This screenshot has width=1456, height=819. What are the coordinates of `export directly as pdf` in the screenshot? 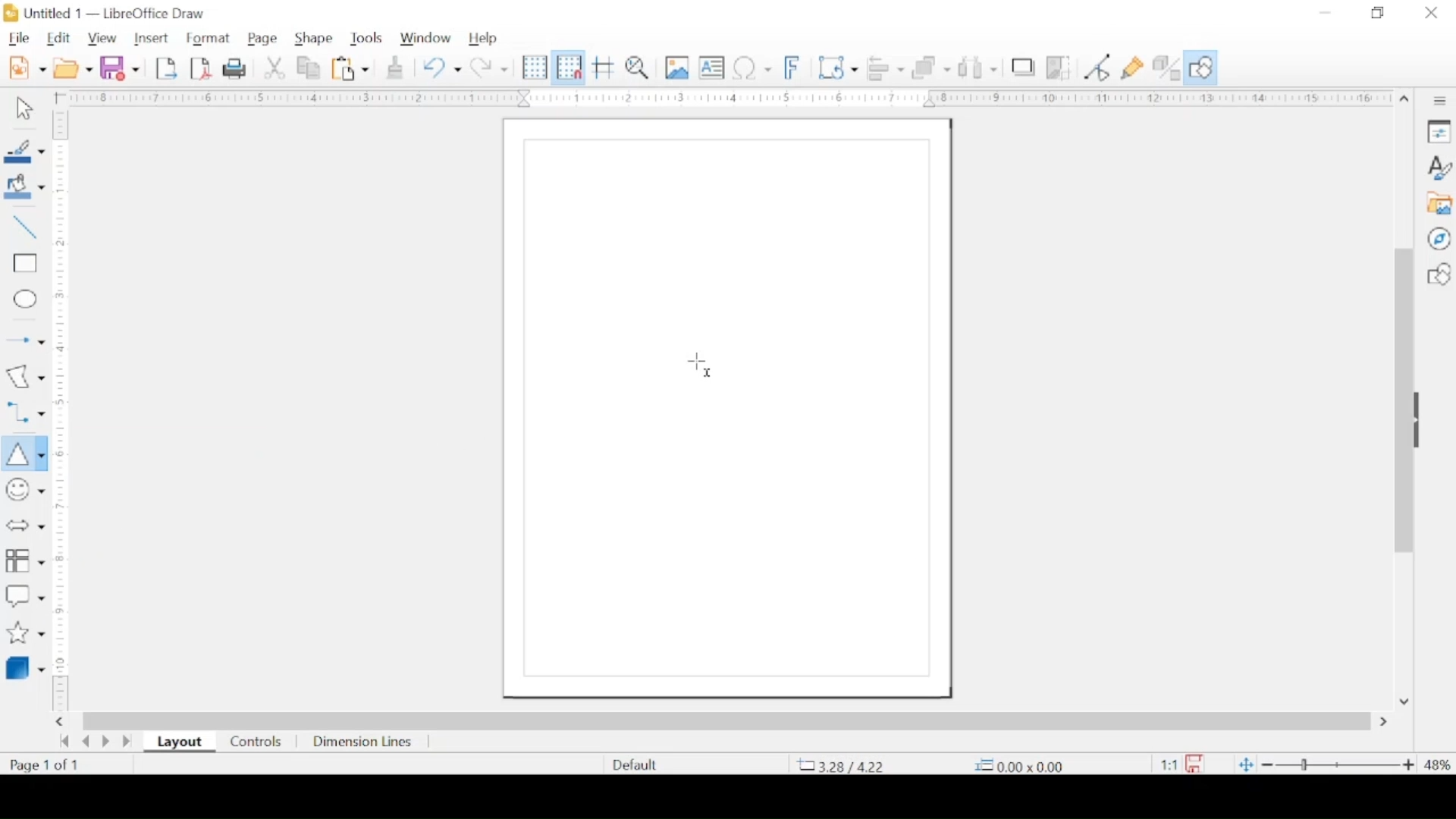 It's located at (202, 69).